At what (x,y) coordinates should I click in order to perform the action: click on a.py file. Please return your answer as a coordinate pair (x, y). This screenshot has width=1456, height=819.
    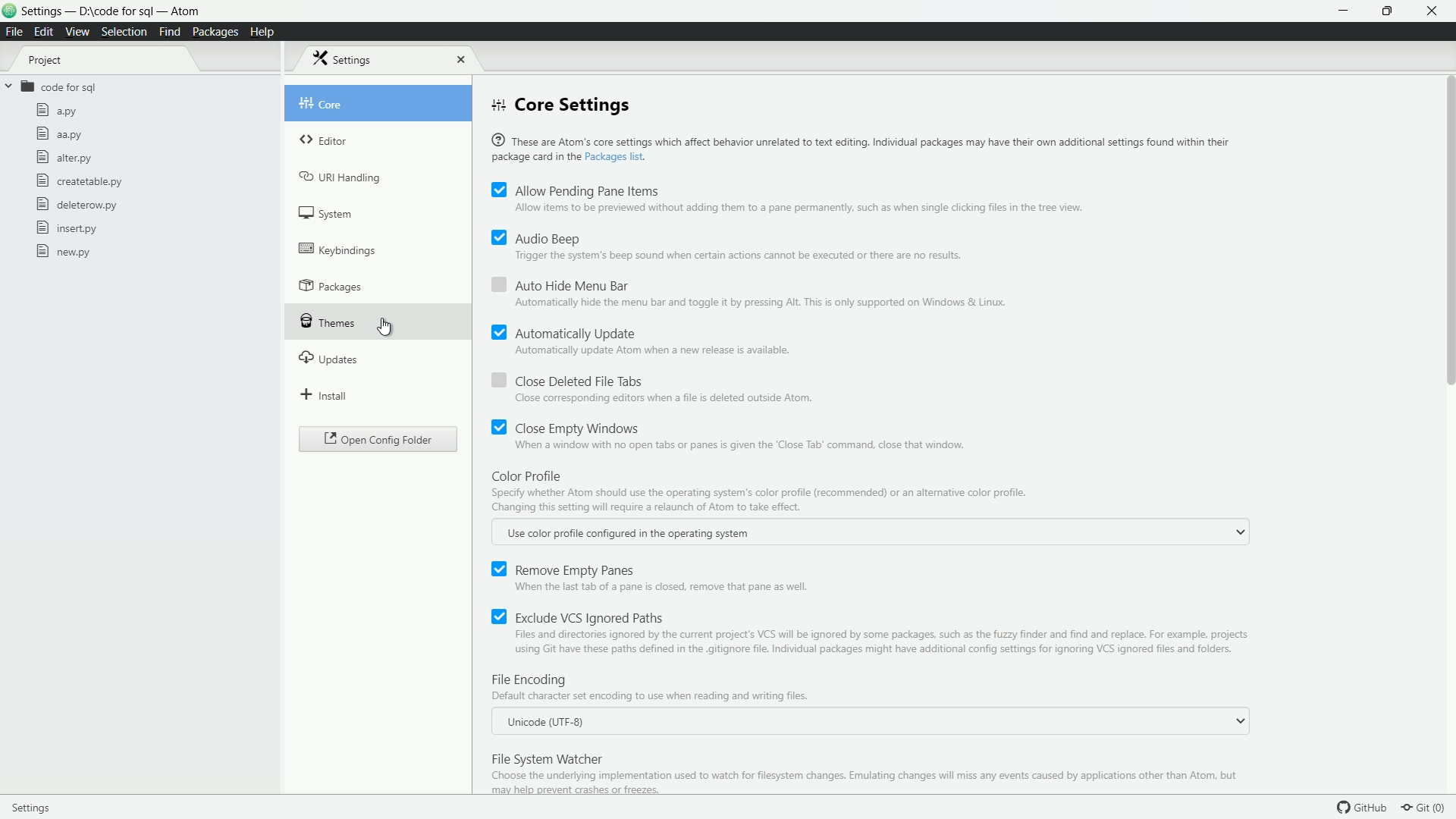
    Looking at the image, I should click on (57, 110).